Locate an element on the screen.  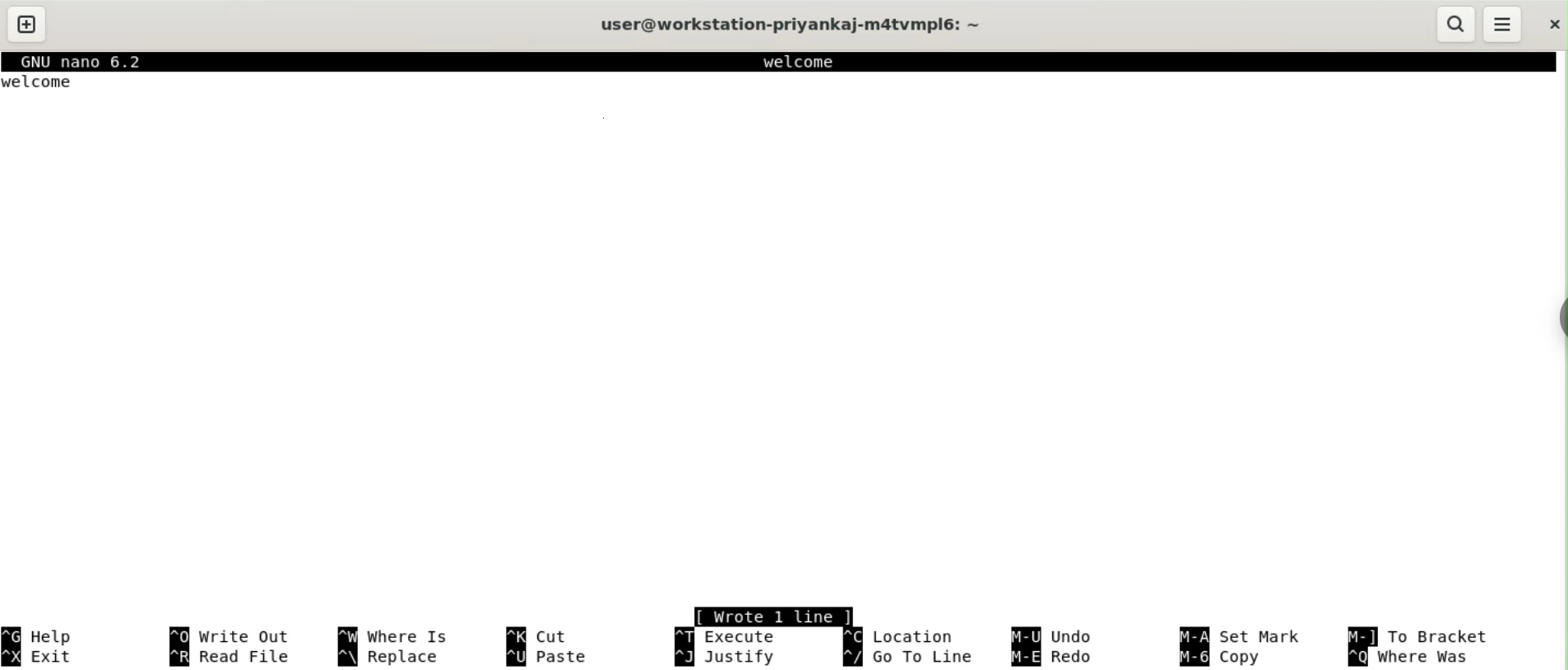
sidebar is located at coordinates (1556, 318).